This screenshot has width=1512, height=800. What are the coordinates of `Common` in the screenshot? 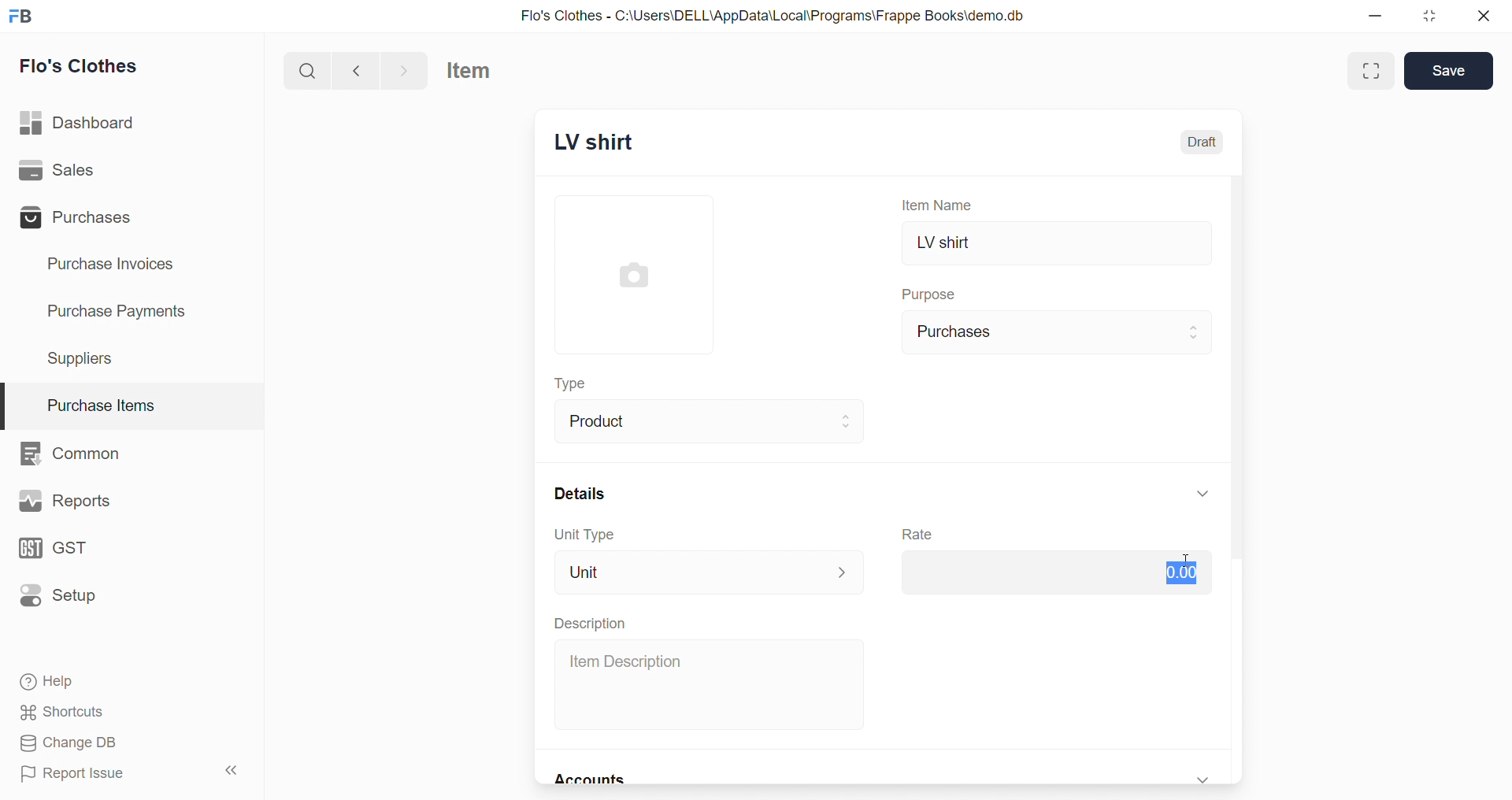 It's located at (79, 452).